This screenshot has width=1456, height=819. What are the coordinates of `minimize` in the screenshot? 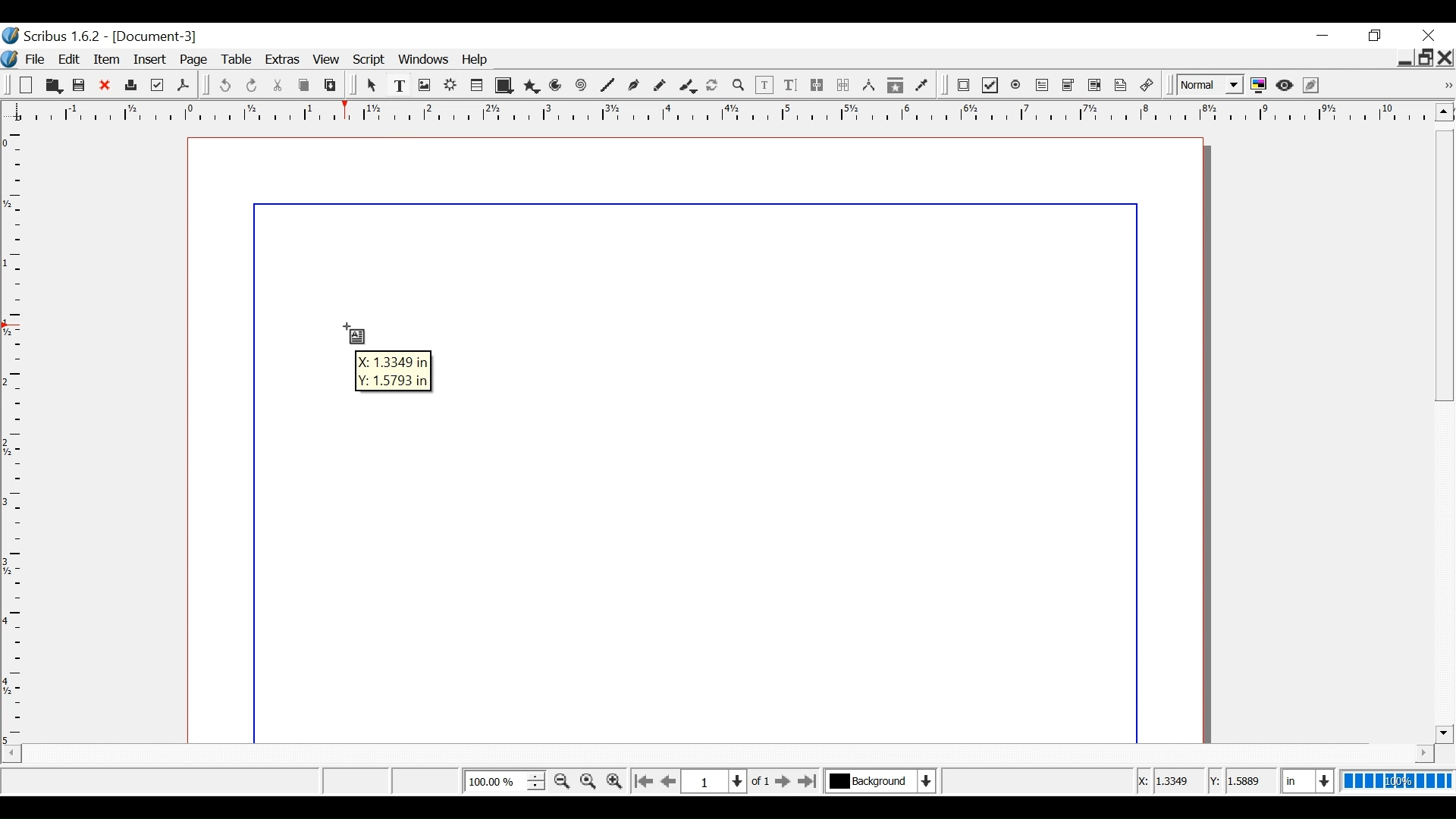 It's located at (1322, 35).